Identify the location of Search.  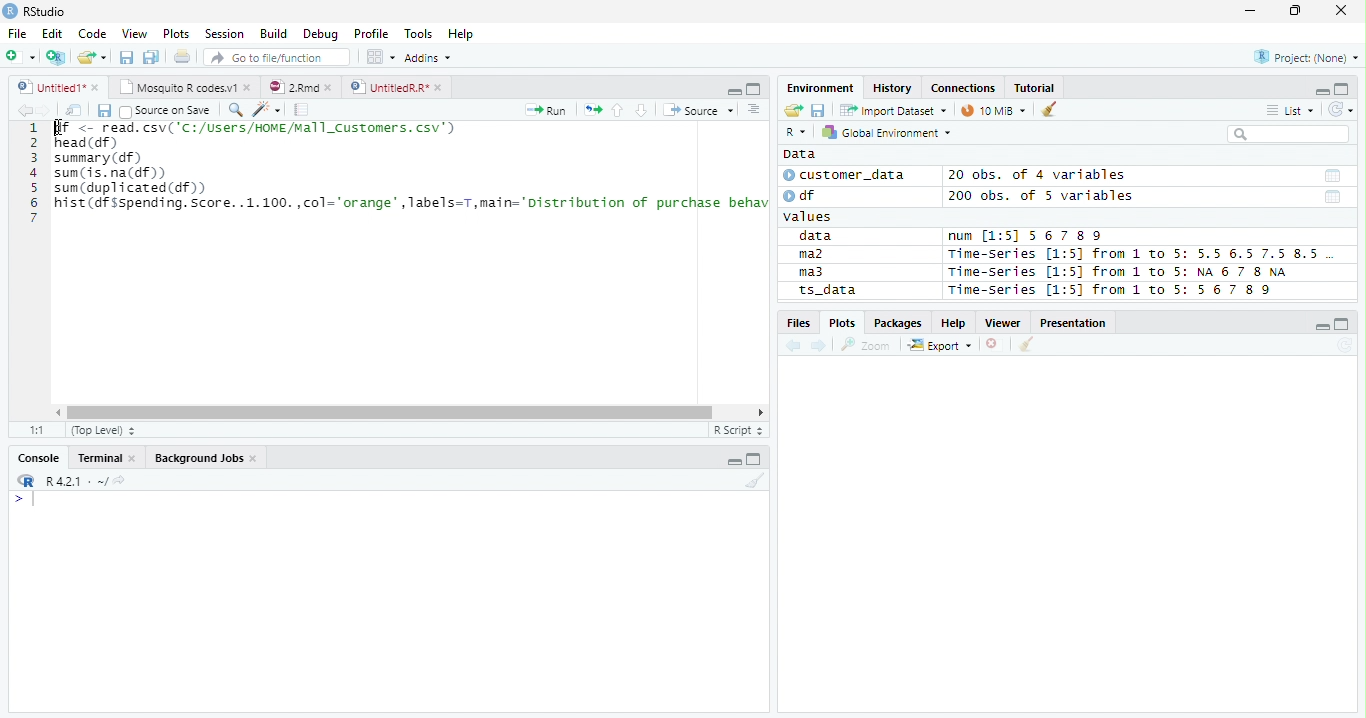
(1286, 134).